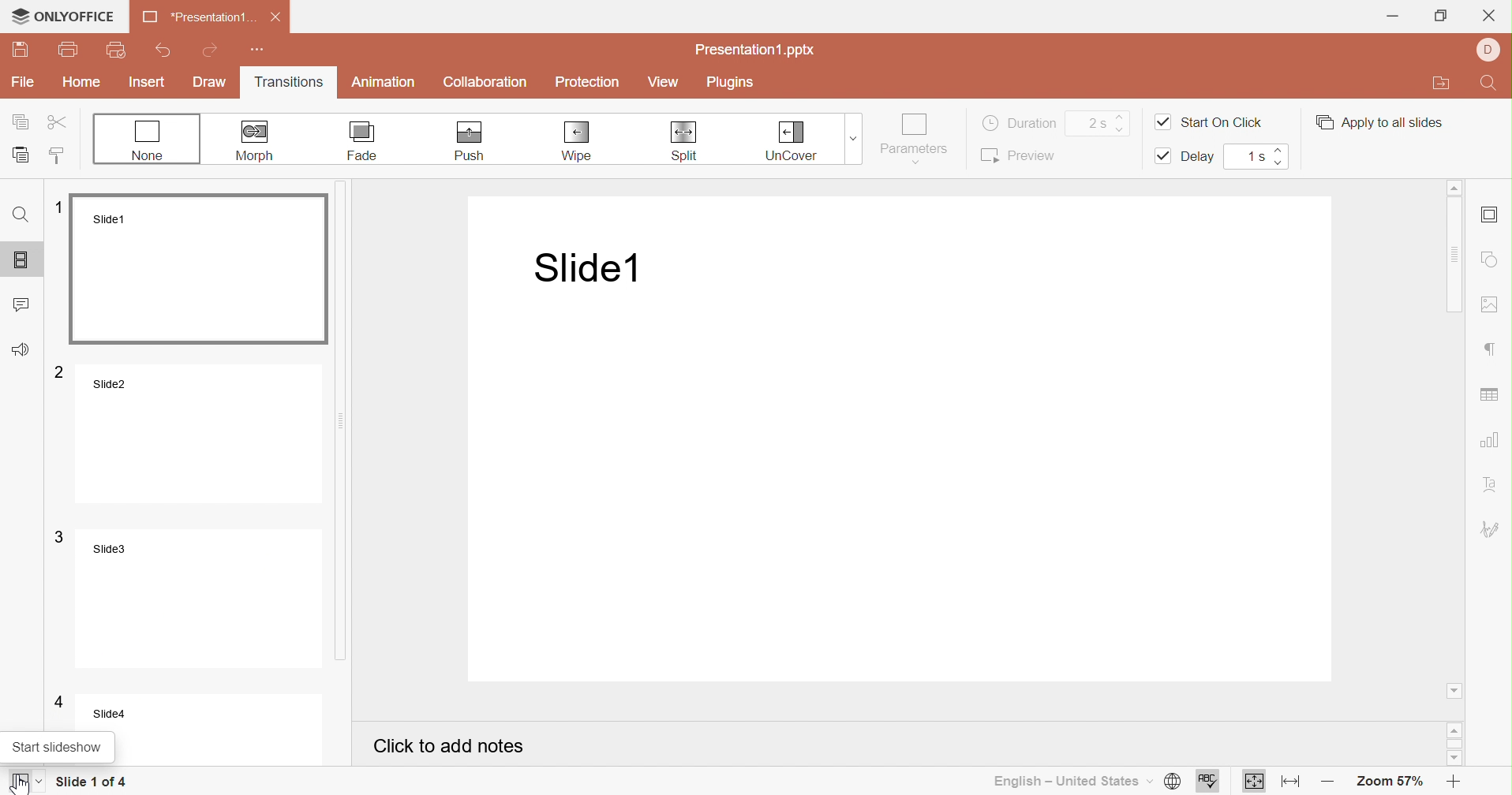 This screenshot has width=1512, height=795. What do you see at coordinates (91, 782) in the screenshot?
I see `Slide 1 of 4` at bounding box center [91, 782].